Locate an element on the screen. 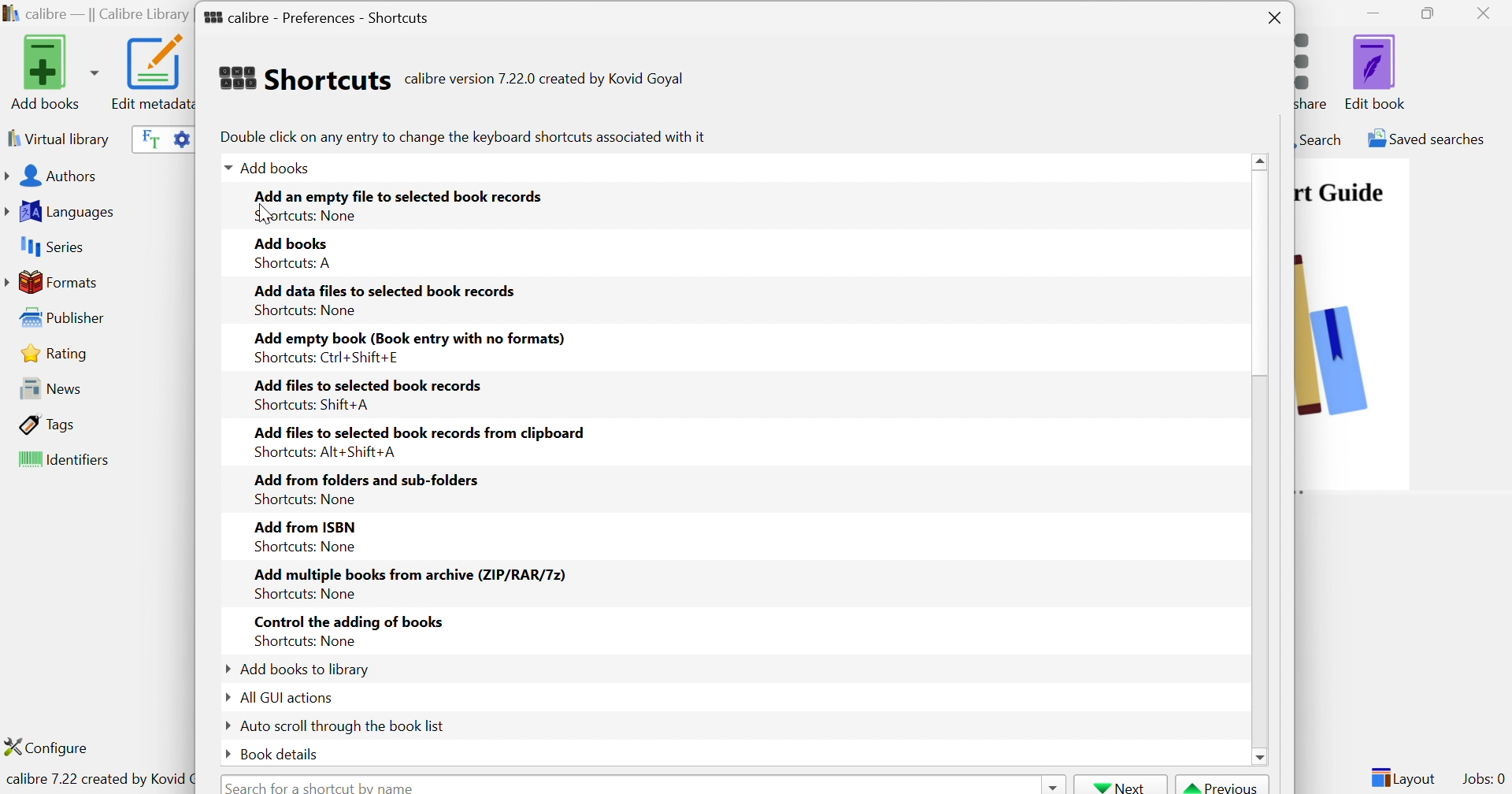 The image size is (1512, 794). Edit metadata is located at coordinates (150, 72).